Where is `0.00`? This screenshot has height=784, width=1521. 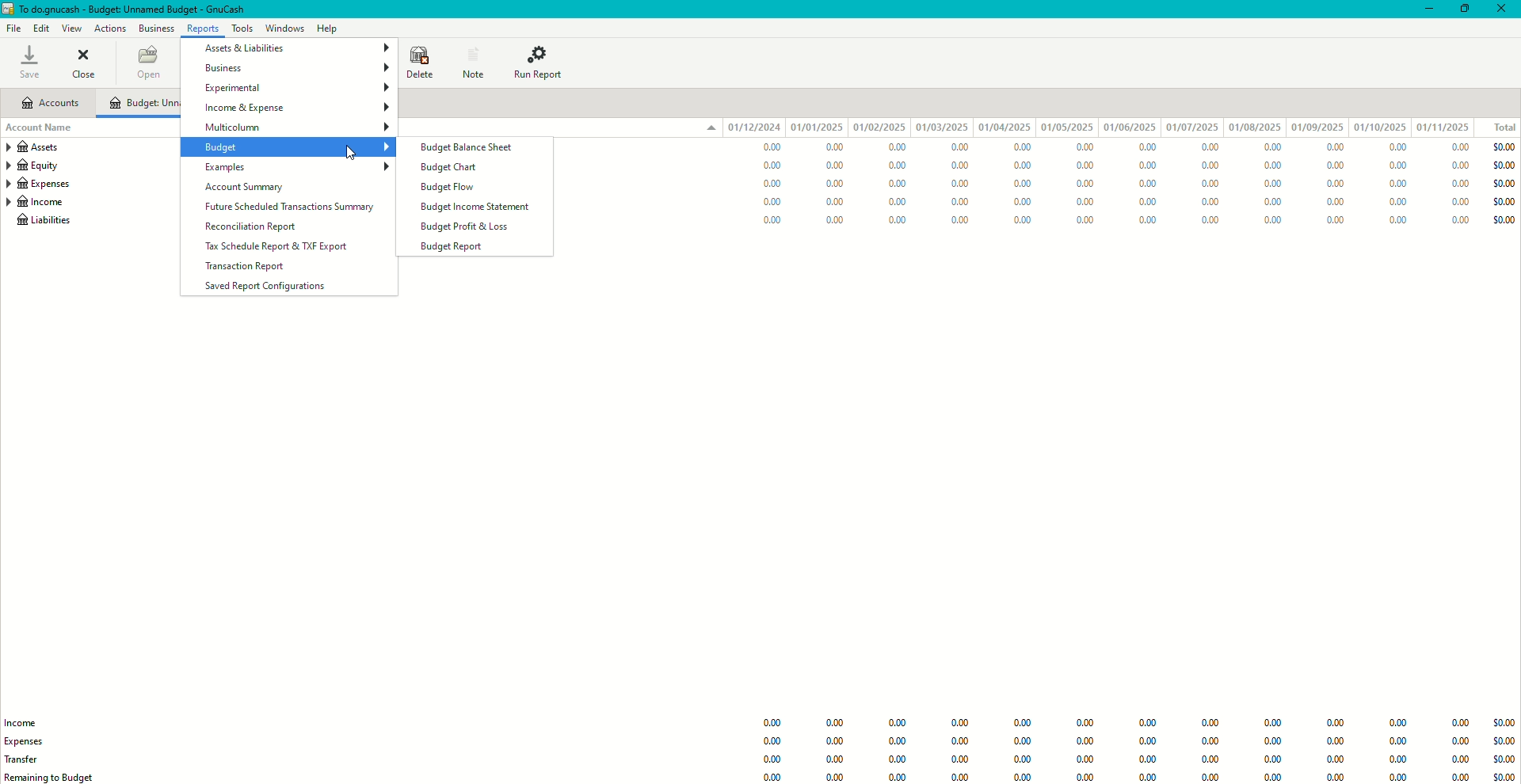
0.00 is located at coordinates (1340, 219).